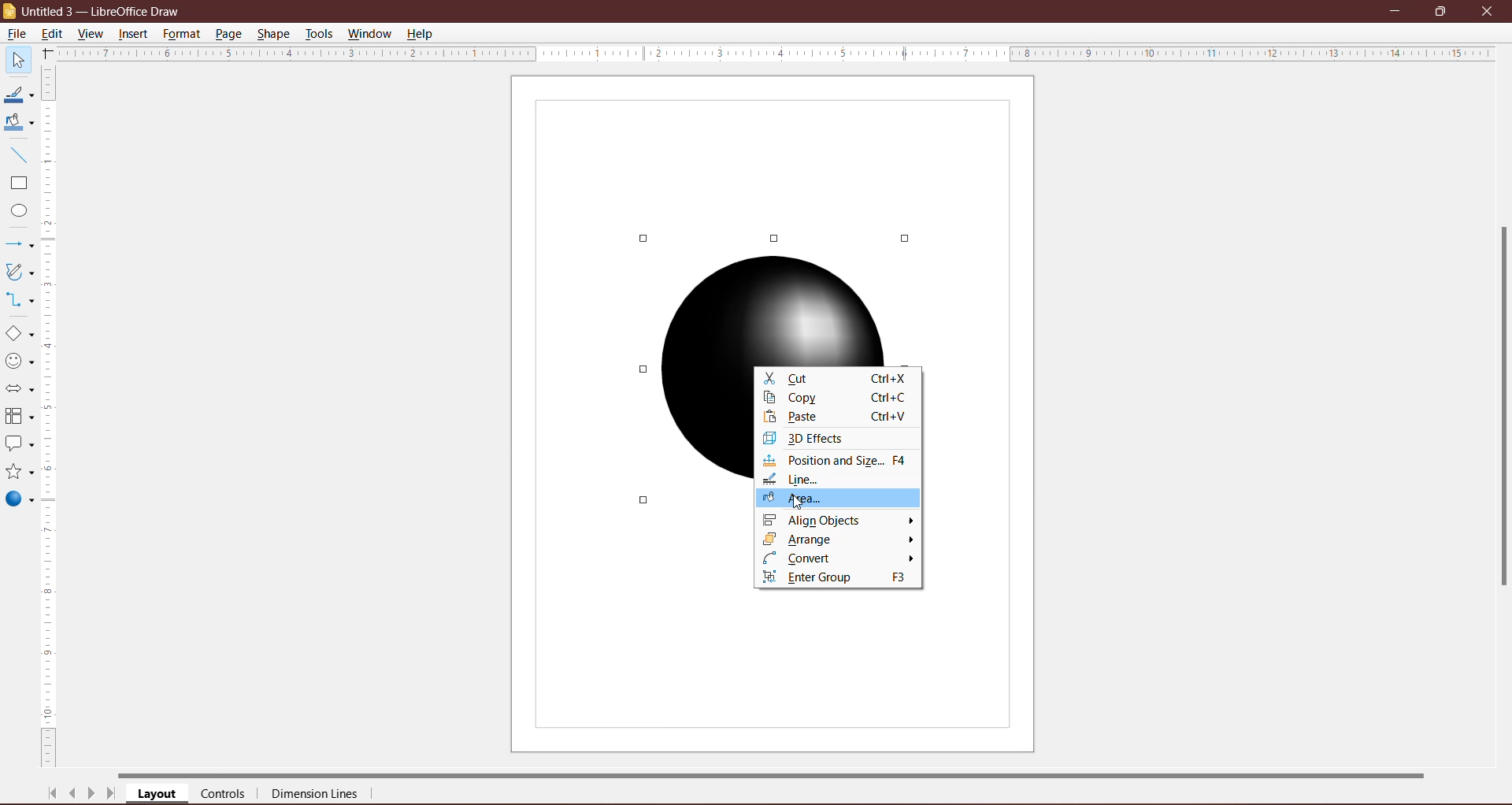  Describe the element at coordinates (18, 391) in the screenshot. I see `Block Arrows` at that location.